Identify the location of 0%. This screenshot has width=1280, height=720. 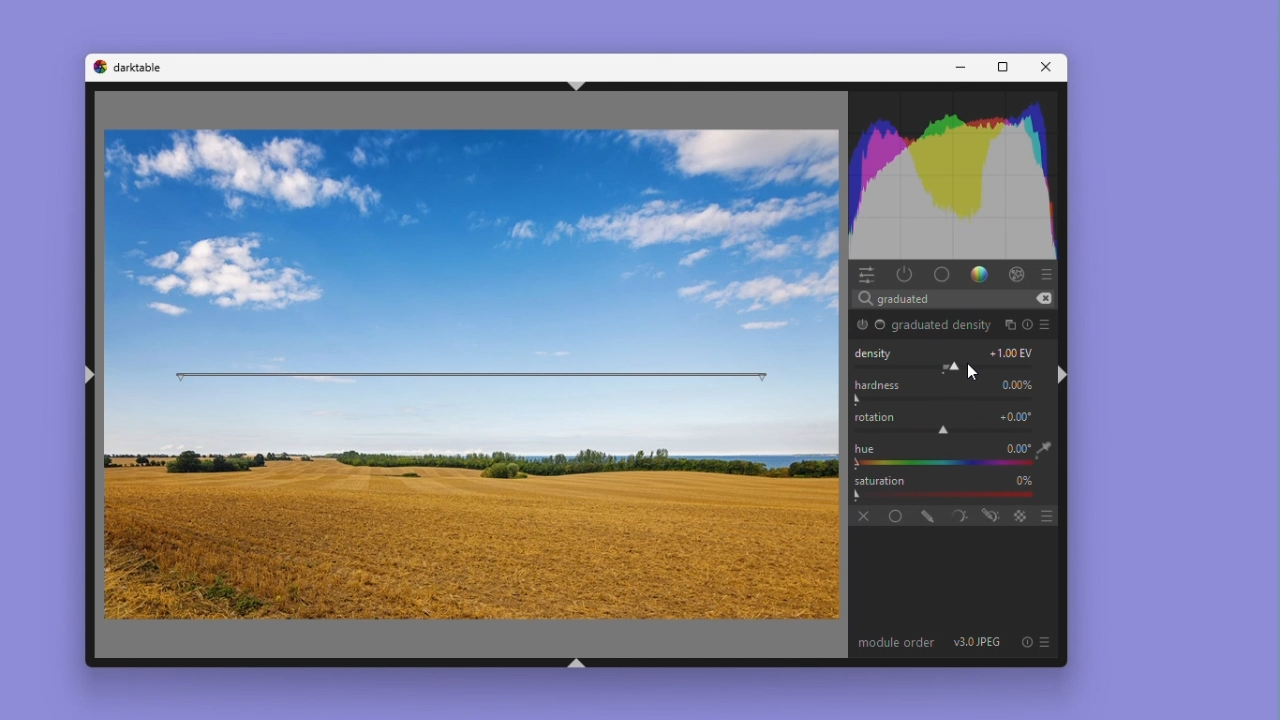
(1023, 480).